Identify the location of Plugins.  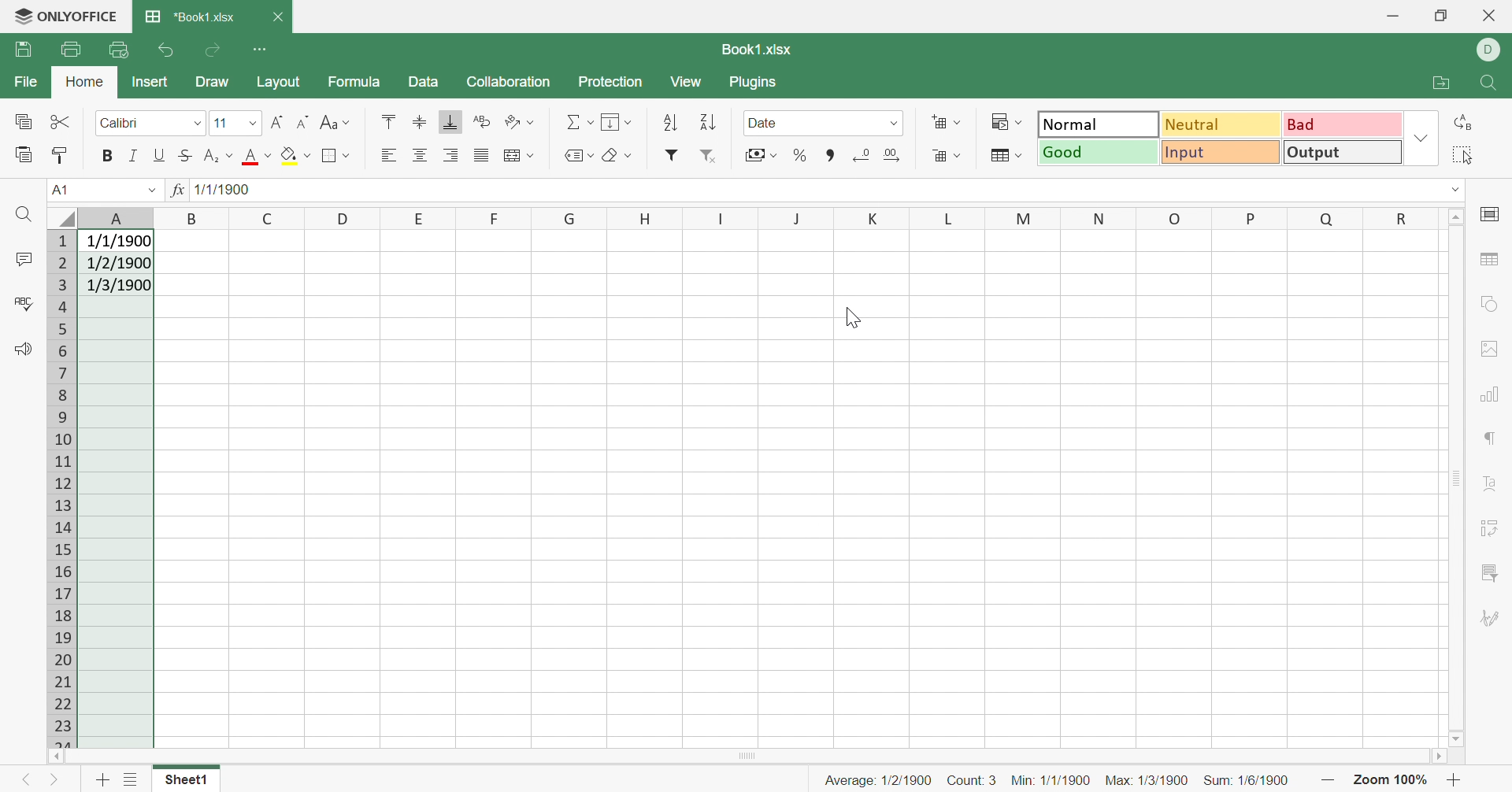
(757, 83).